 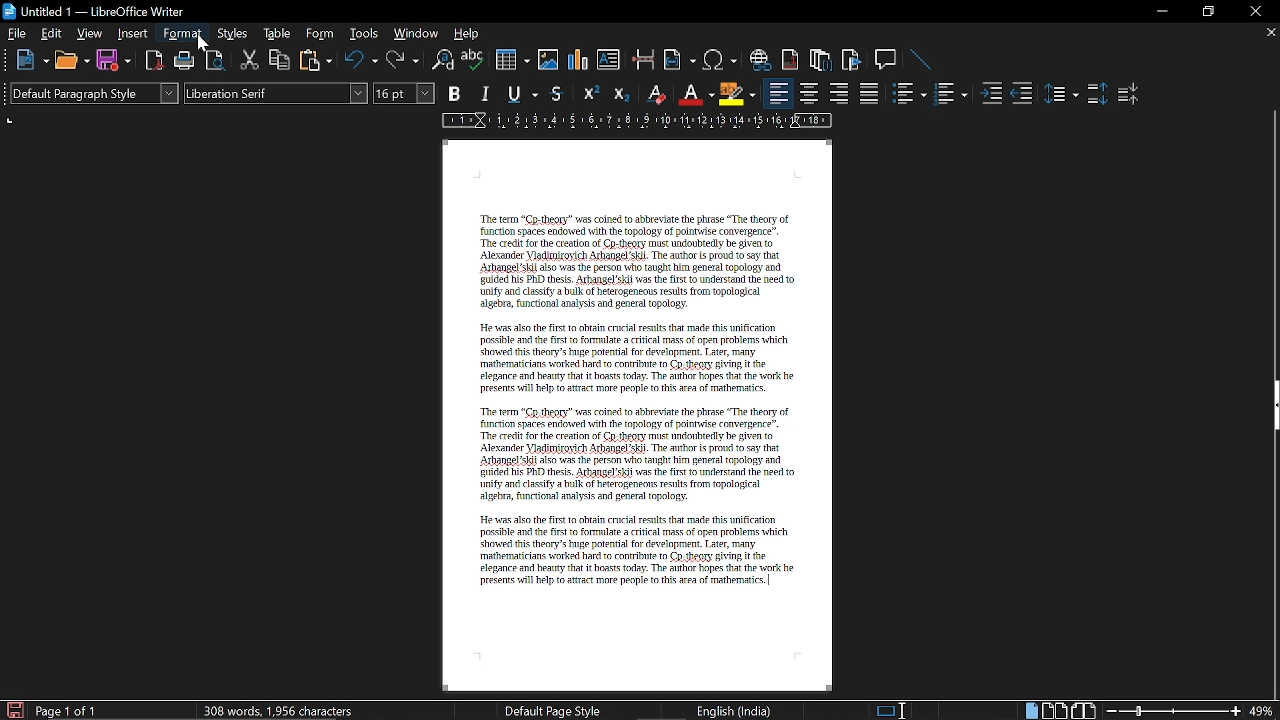 I want to click on cursor, so click(x=202, y=45).